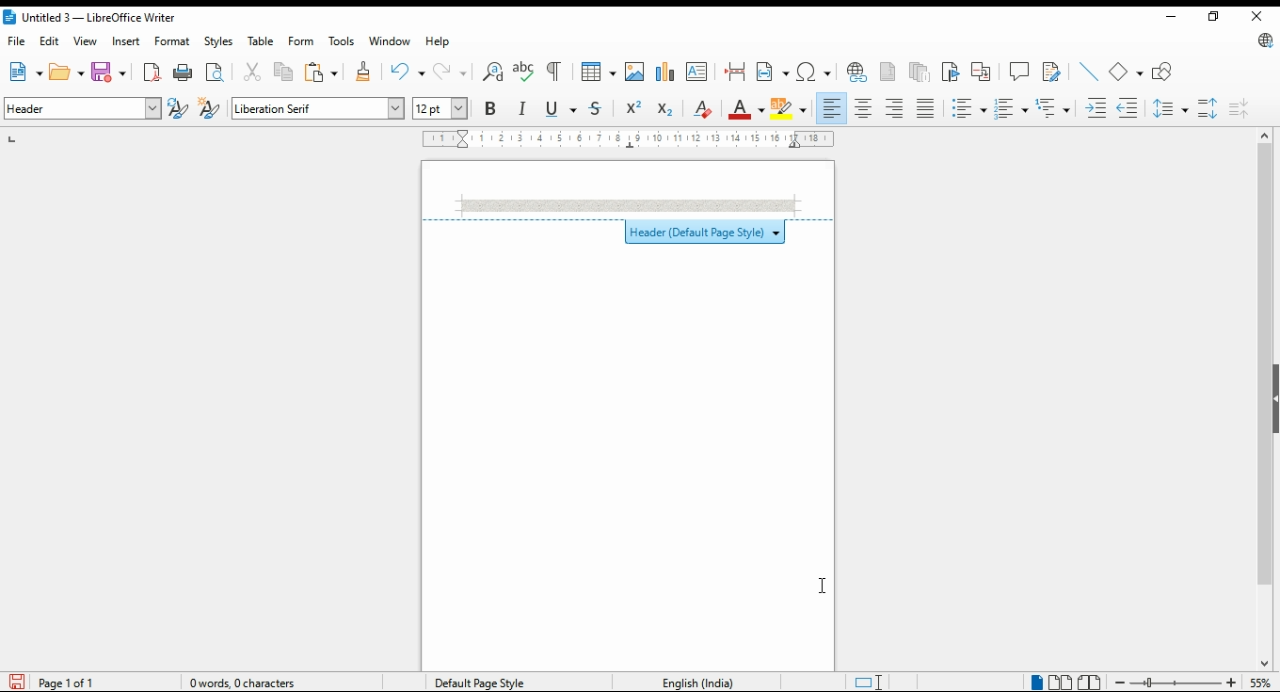  I want to click on increase indent, so click(1097, 108).